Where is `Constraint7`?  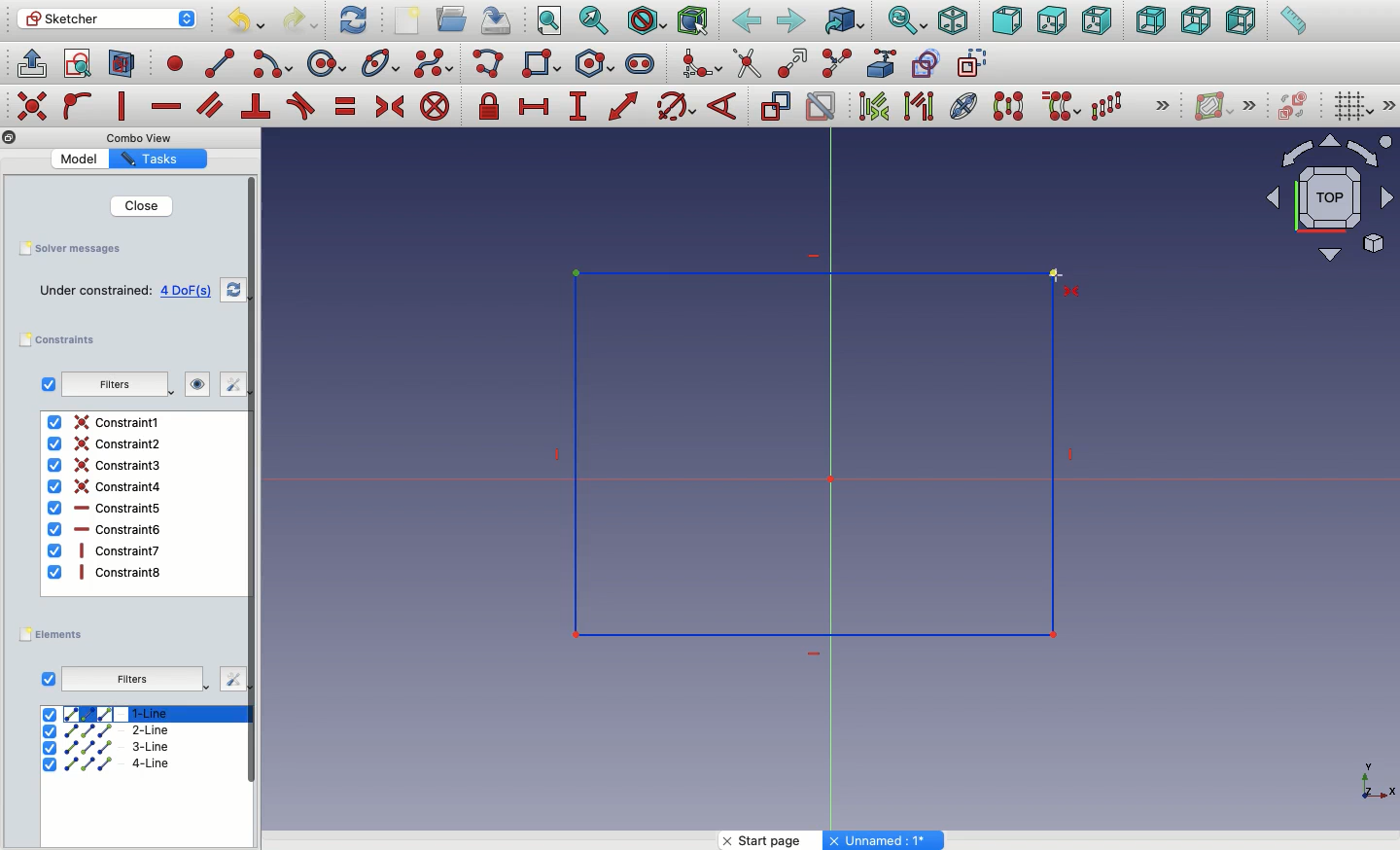
Constraint7 is located at coordinates (105, 549).